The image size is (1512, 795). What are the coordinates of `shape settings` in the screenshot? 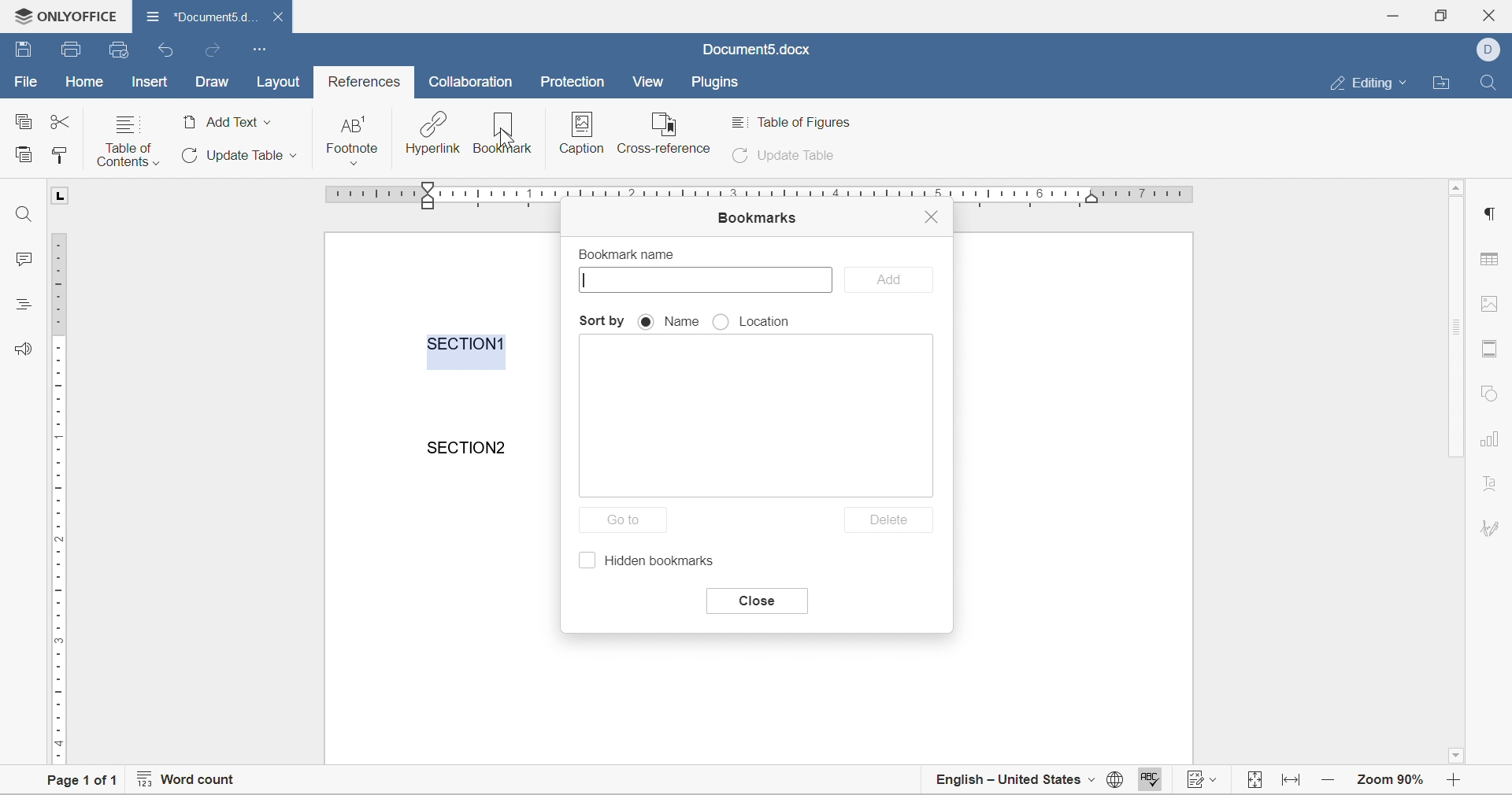 It's located at (1488, 393).